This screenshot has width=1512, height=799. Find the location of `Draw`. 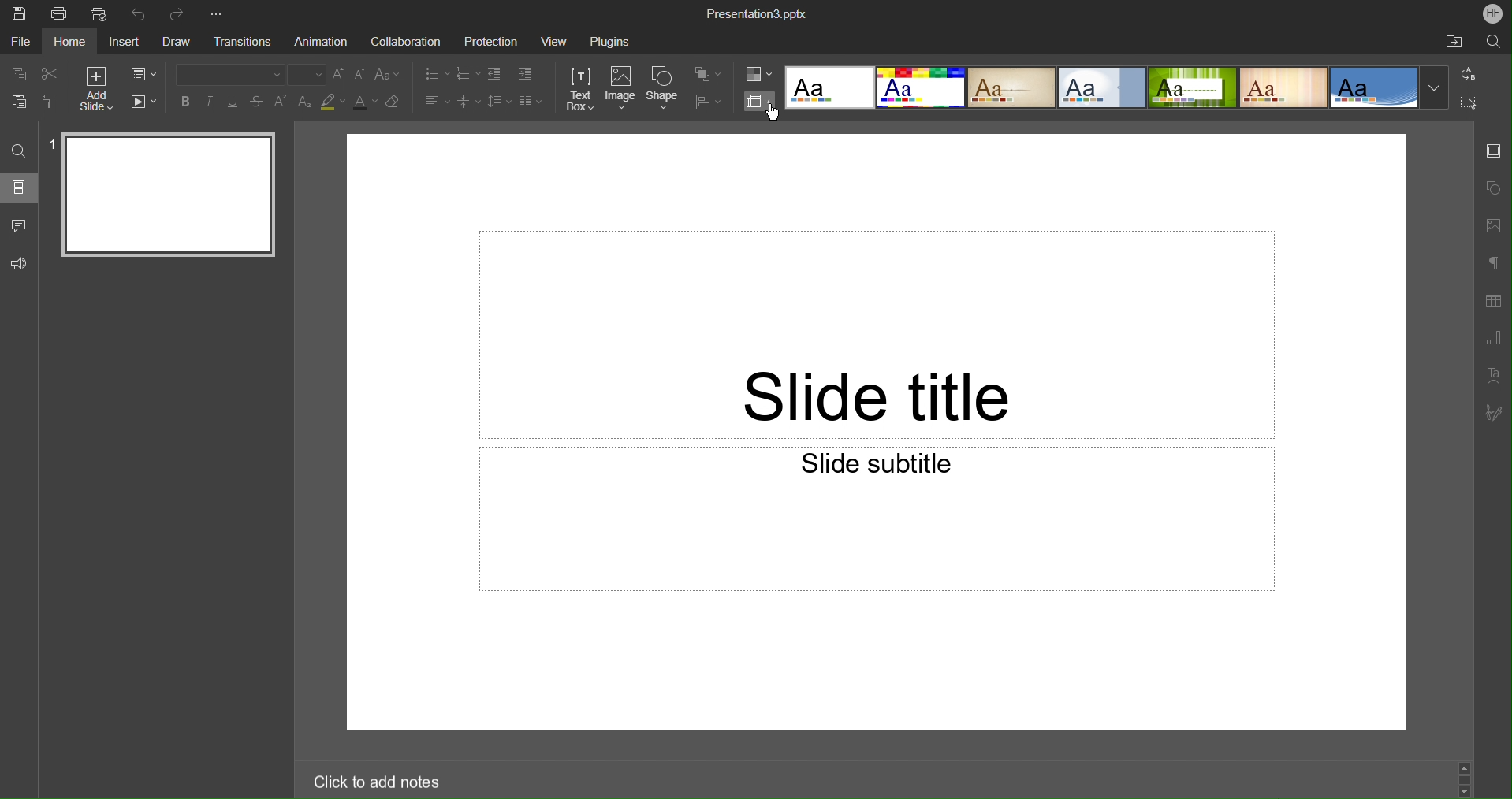

Draw is located at coordinates (177, 43).